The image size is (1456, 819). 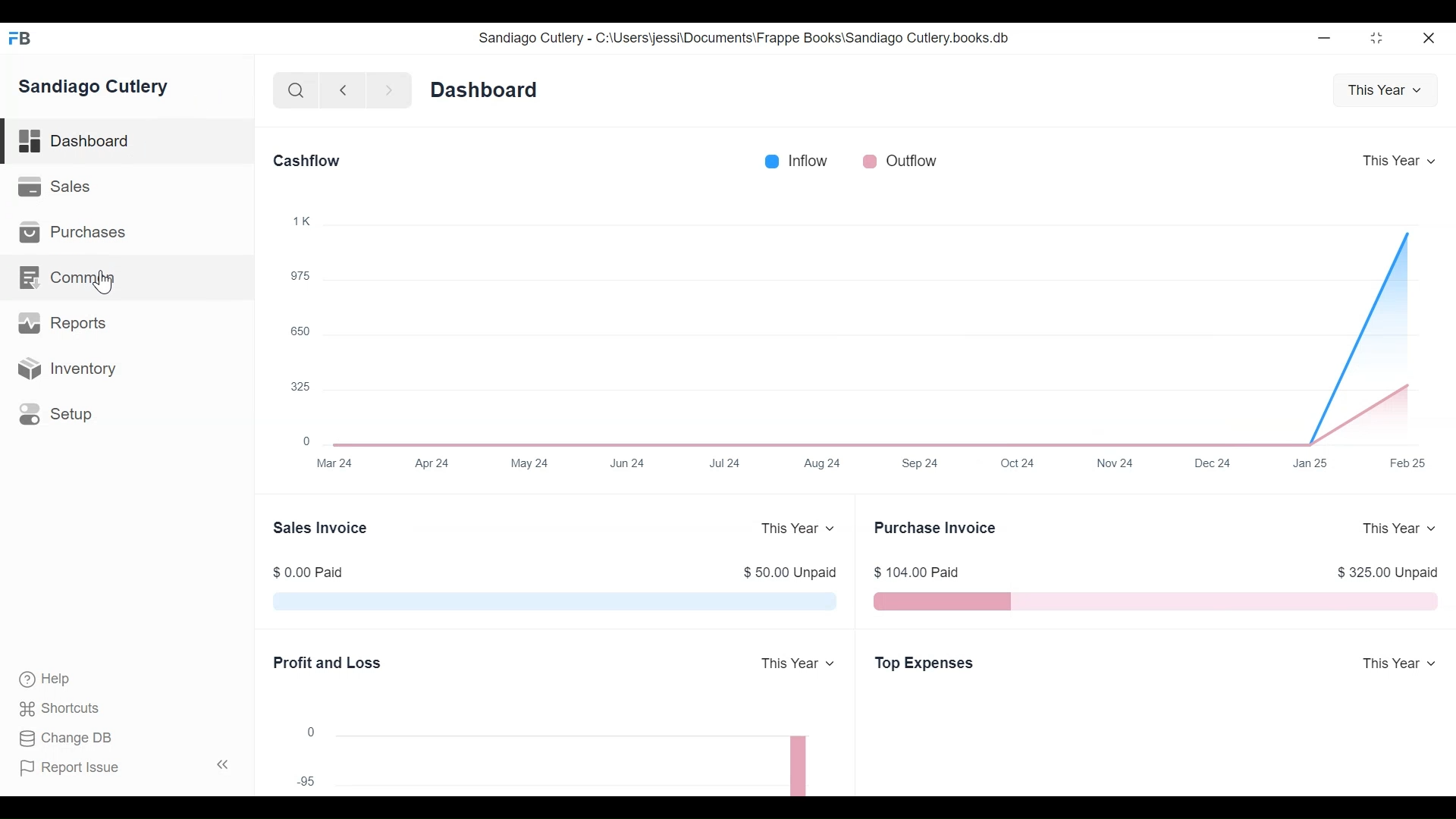 I want to click on $ 325.00 Unpaid, so click(x=1391, y=574).